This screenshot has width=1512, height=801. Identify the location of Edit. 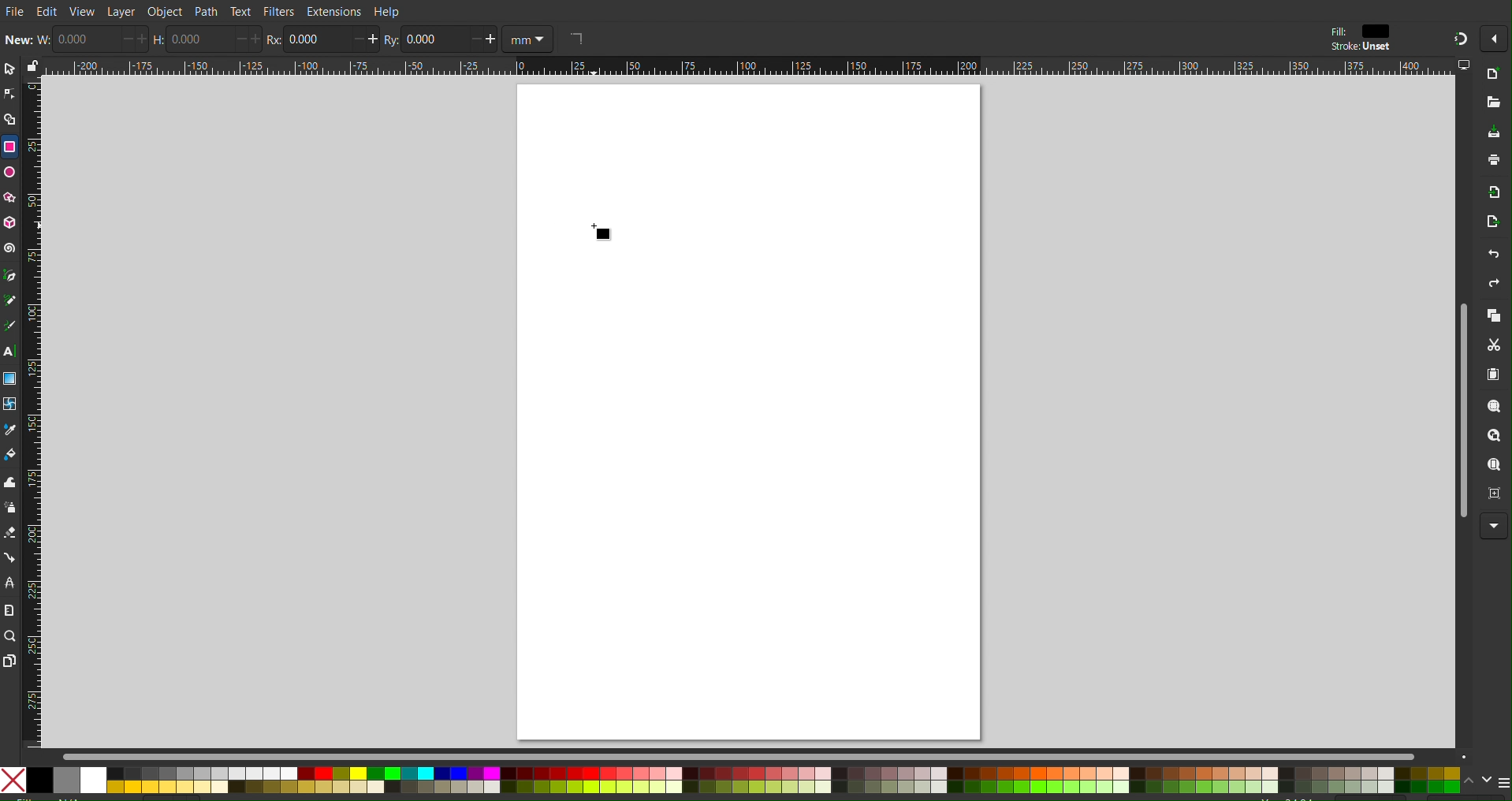
(47, 12).